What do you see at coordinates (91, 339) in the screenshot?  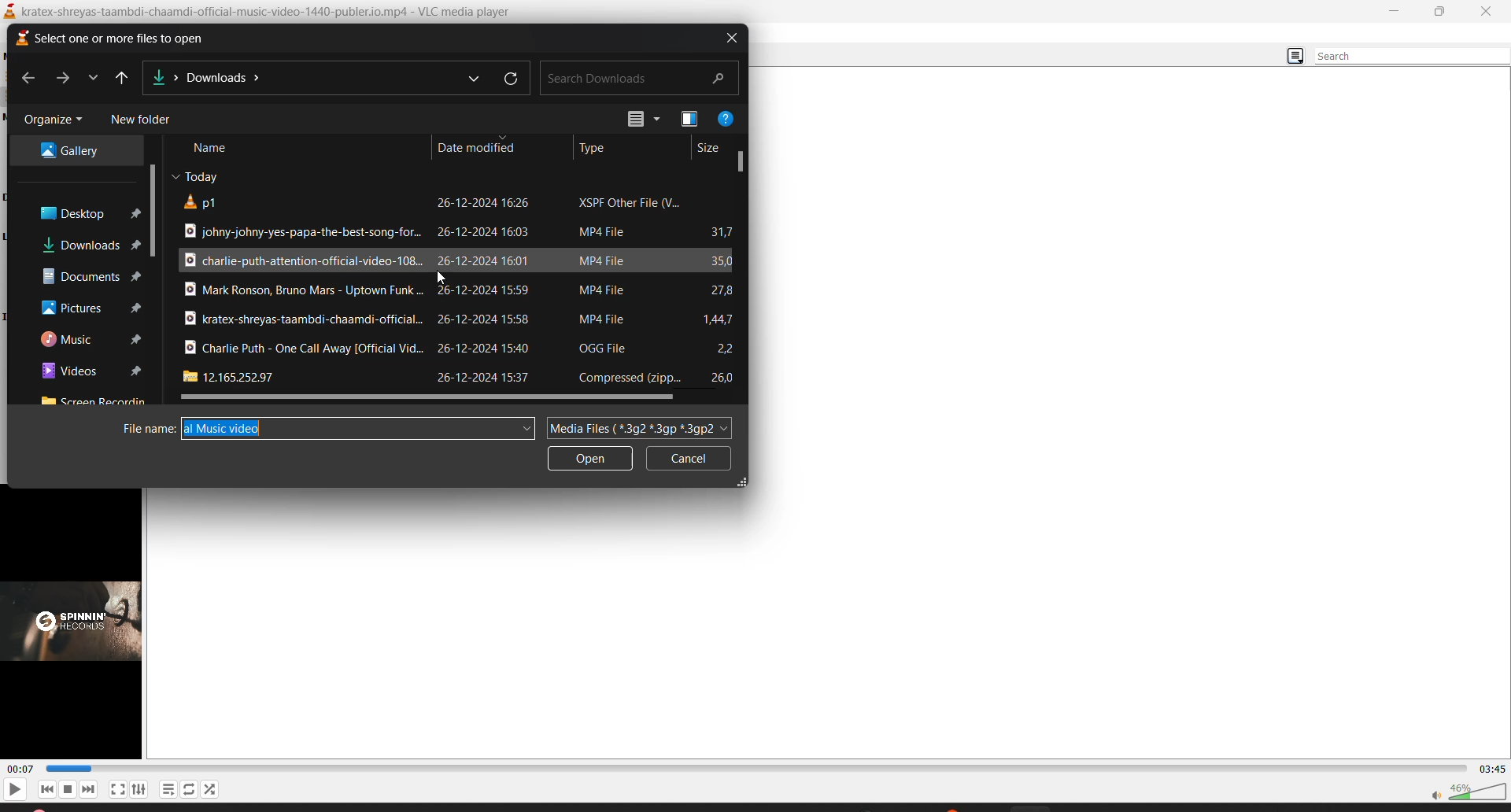 I see `music` at bounding box center [91, 339].